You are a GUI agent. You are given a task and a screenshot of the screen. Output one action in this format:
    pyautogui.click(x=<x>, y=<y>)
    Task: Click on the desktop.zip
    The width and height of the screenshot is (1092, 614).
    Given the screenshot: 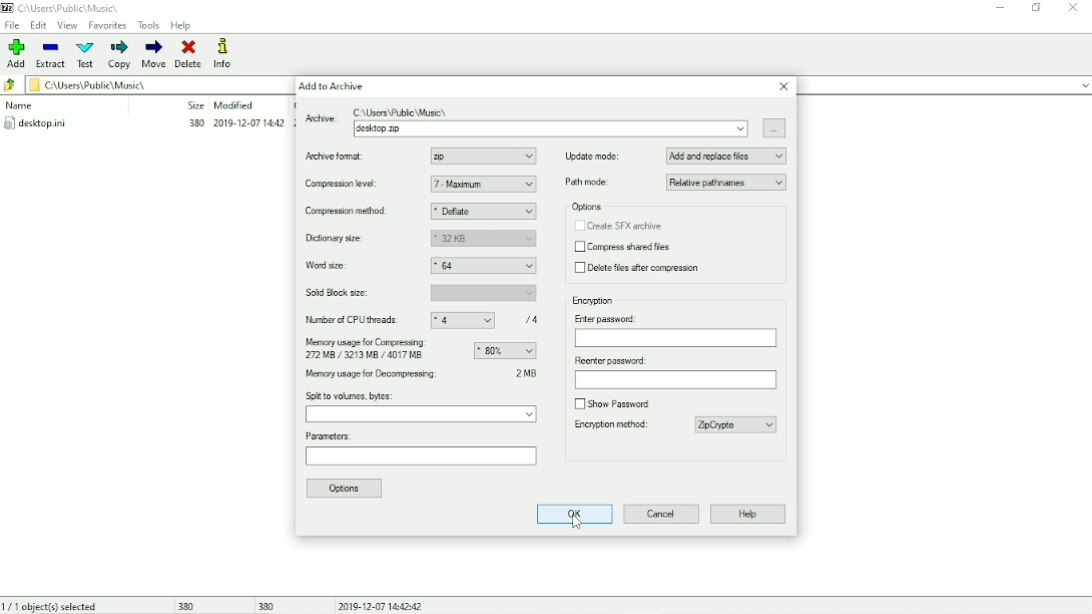 What is the action you would take?
    pyautogui.click(x=549, y=129)
    